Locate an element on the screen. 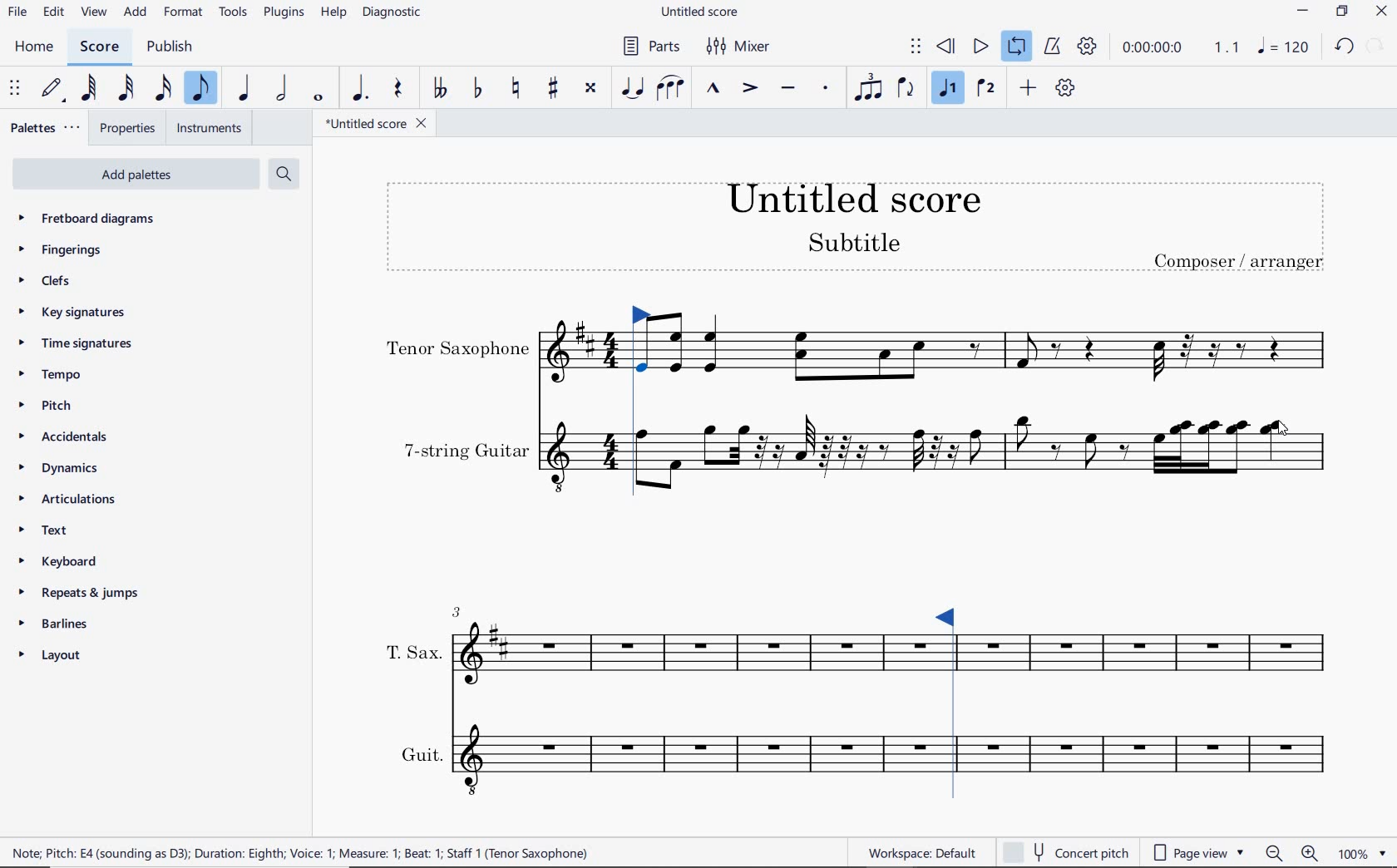  FLIP DIRECTION is located at coordinates (906, 89).